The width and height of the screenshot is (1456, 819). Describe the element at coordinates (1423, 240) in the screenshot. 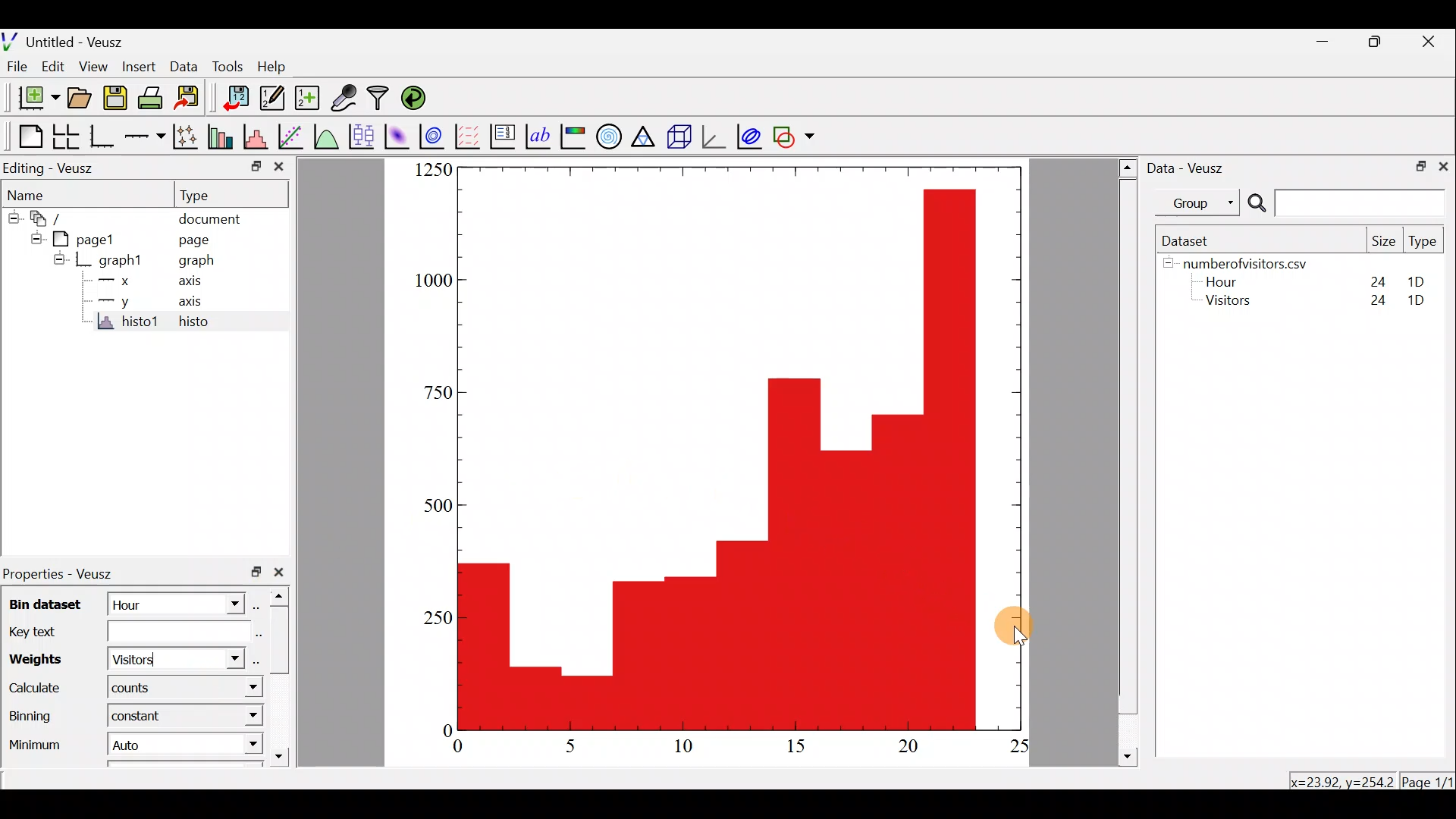

I see `Type` at that location.